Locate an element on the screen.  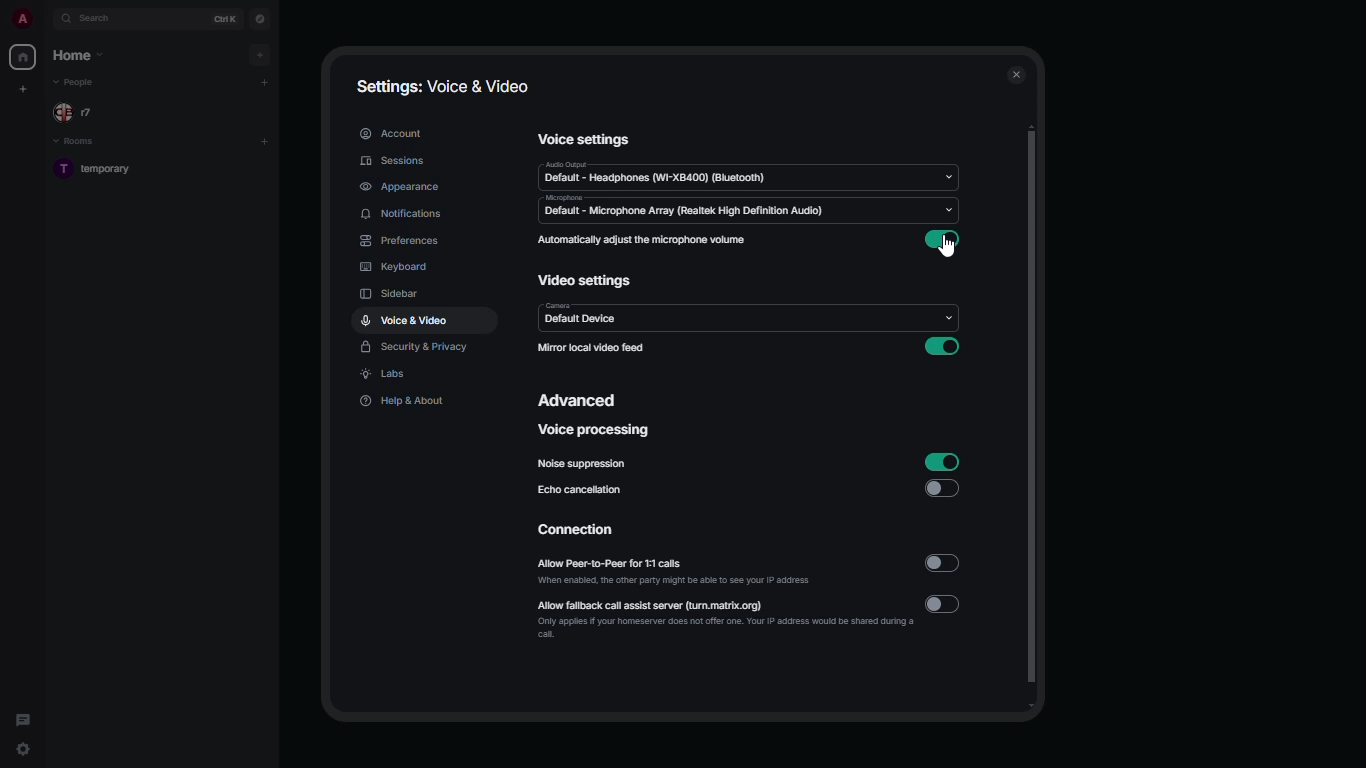
scroll bar is located at coordinates (1034, 418).